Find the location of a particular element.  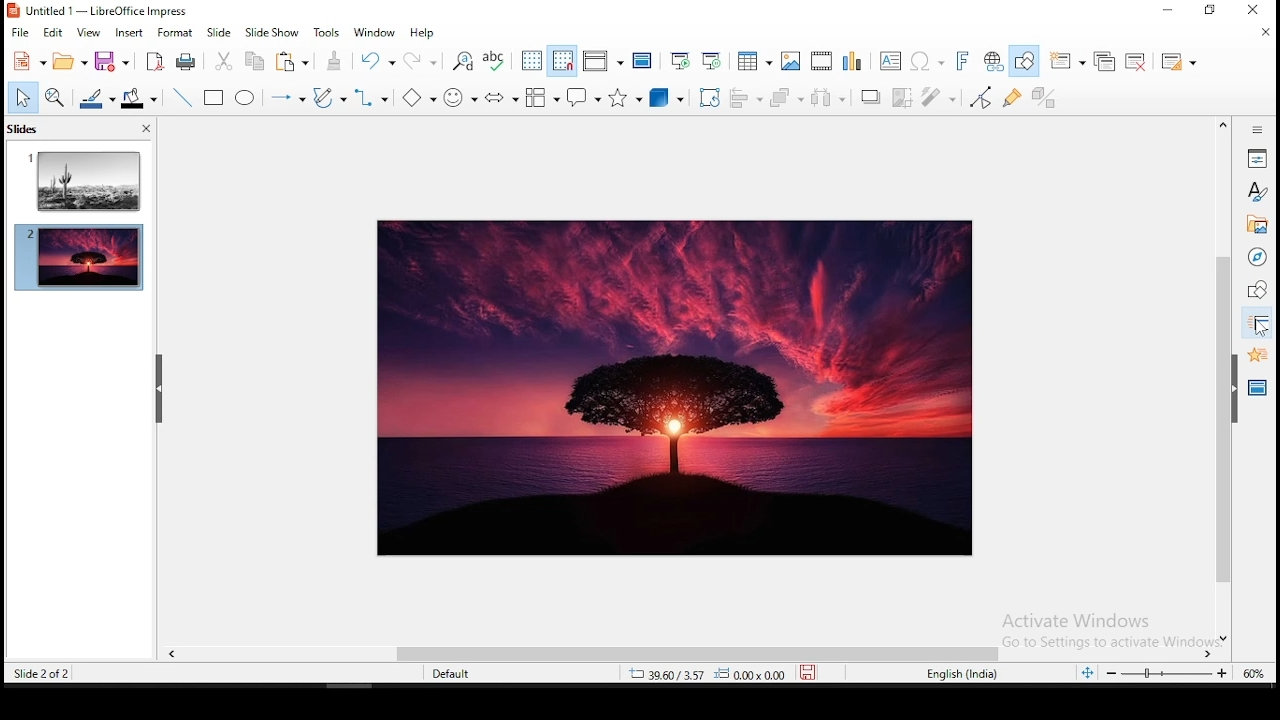

styles is located at coordinates (1258, 193).